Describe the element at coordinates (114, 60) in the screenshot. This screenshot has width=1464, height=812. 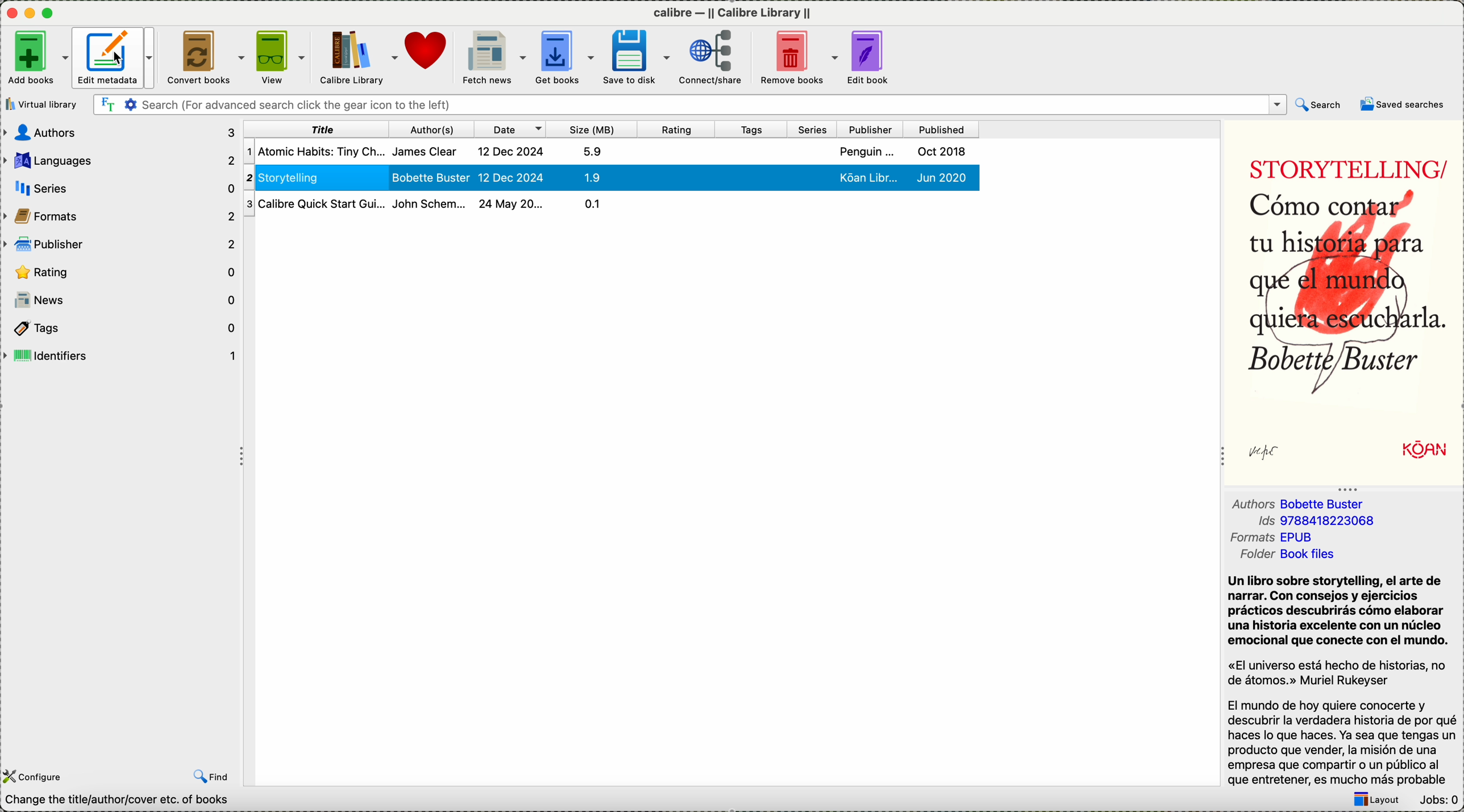
I see `click on edit metadata` at that location.